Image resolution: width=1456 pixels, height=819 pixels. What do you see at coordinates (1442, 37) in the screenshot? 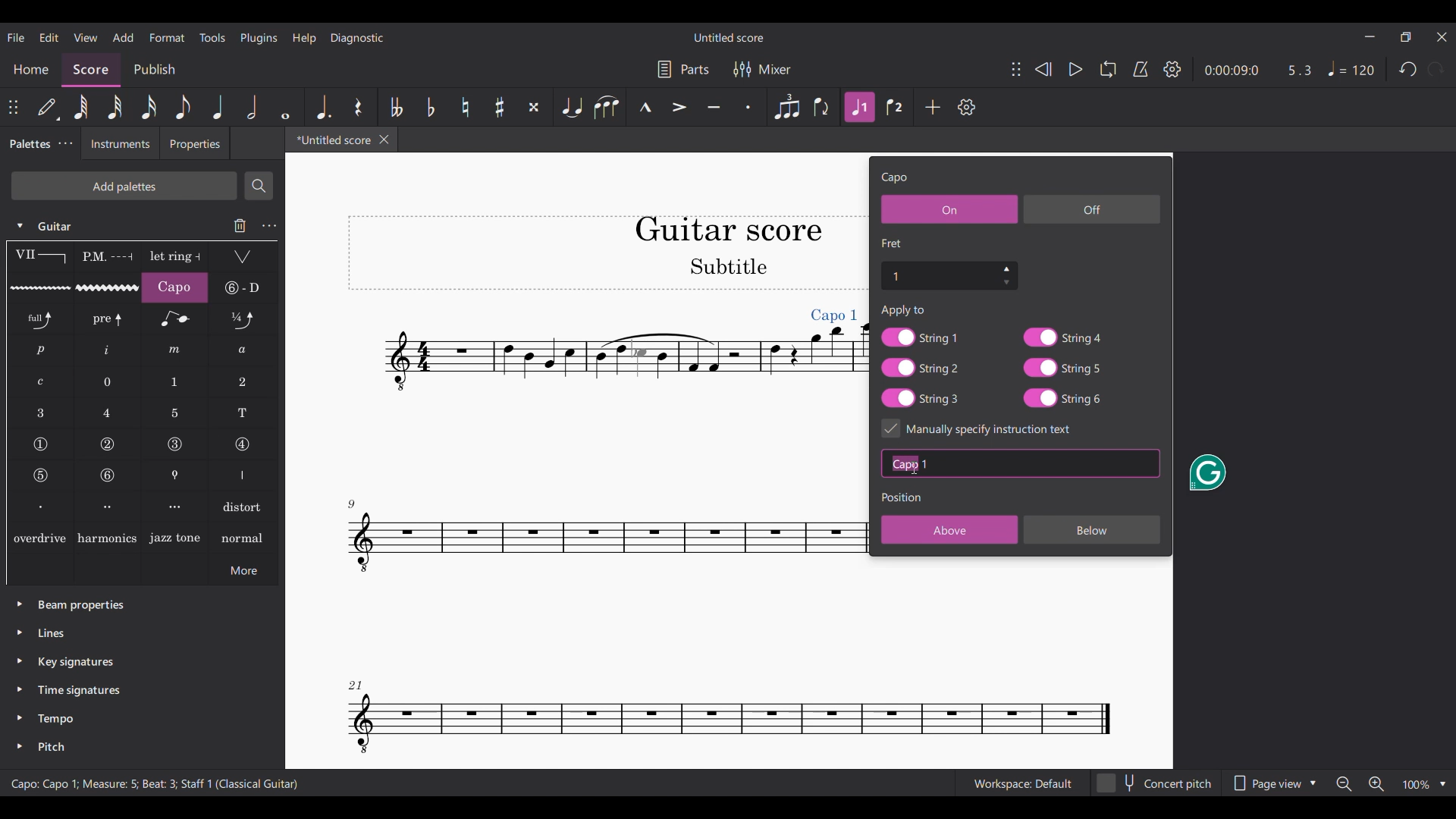
I see `Close interface` at bounding box center [1442, 37].